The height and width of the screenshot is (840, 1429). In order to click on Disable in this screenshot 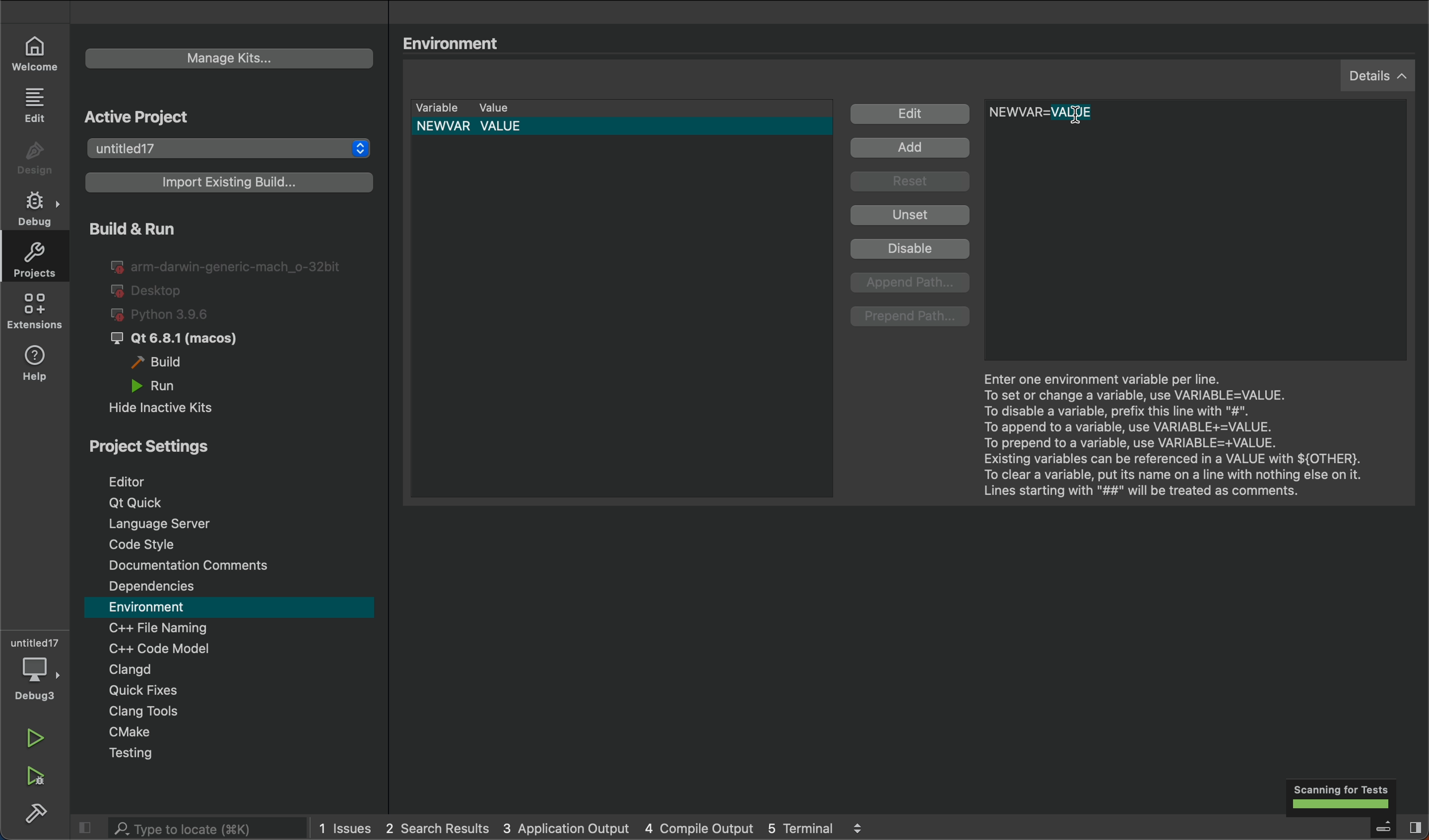, I will do `click(914, 251)`.